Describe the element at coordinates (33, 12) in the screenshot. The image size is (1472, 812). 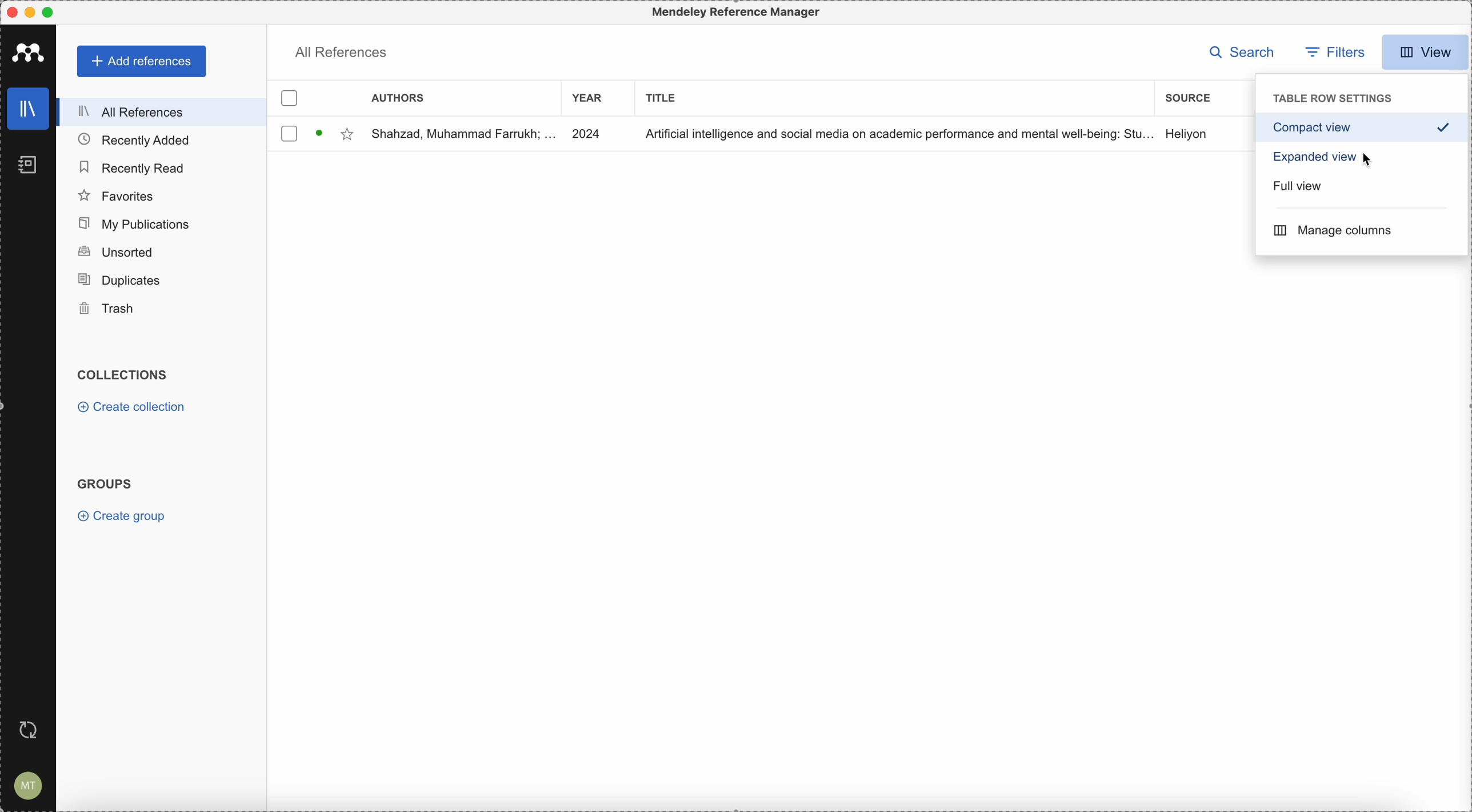
I see `minimize` at that location.